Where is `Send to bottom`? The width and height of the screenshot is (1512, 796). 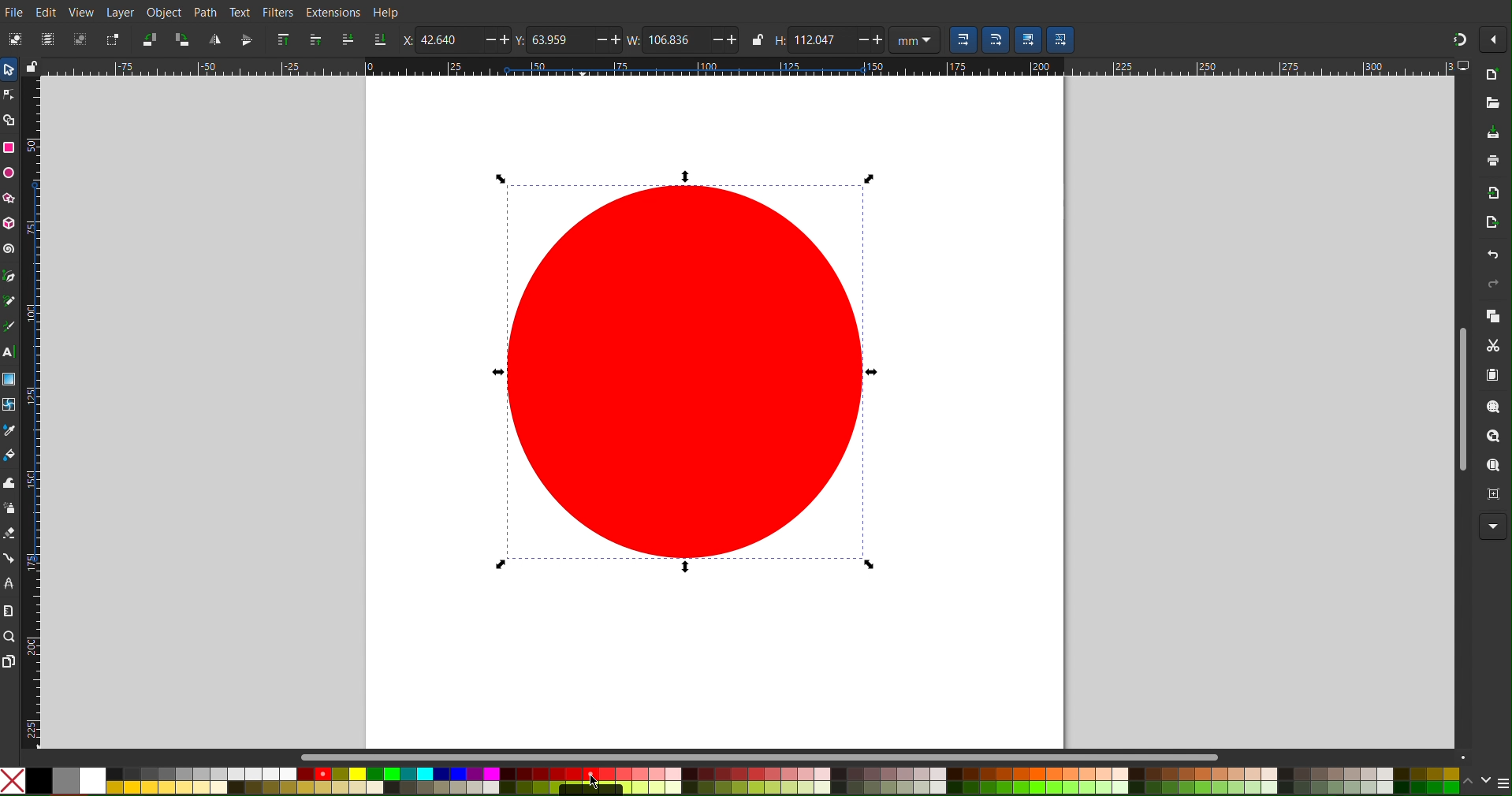 Send to bottom is located at coordinates (378, 40).